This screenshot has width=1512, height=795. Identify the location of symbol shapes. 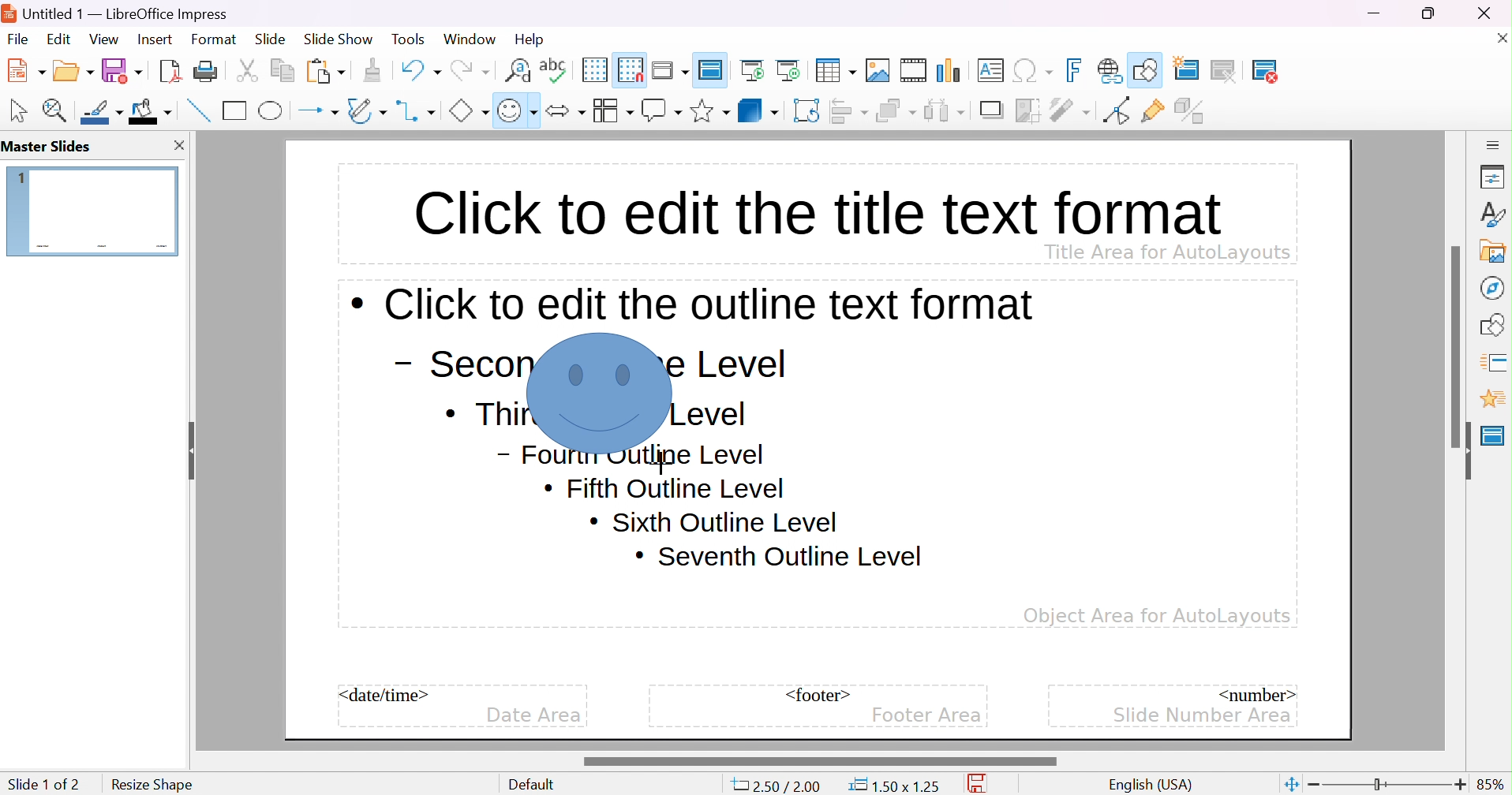
(517, 110).